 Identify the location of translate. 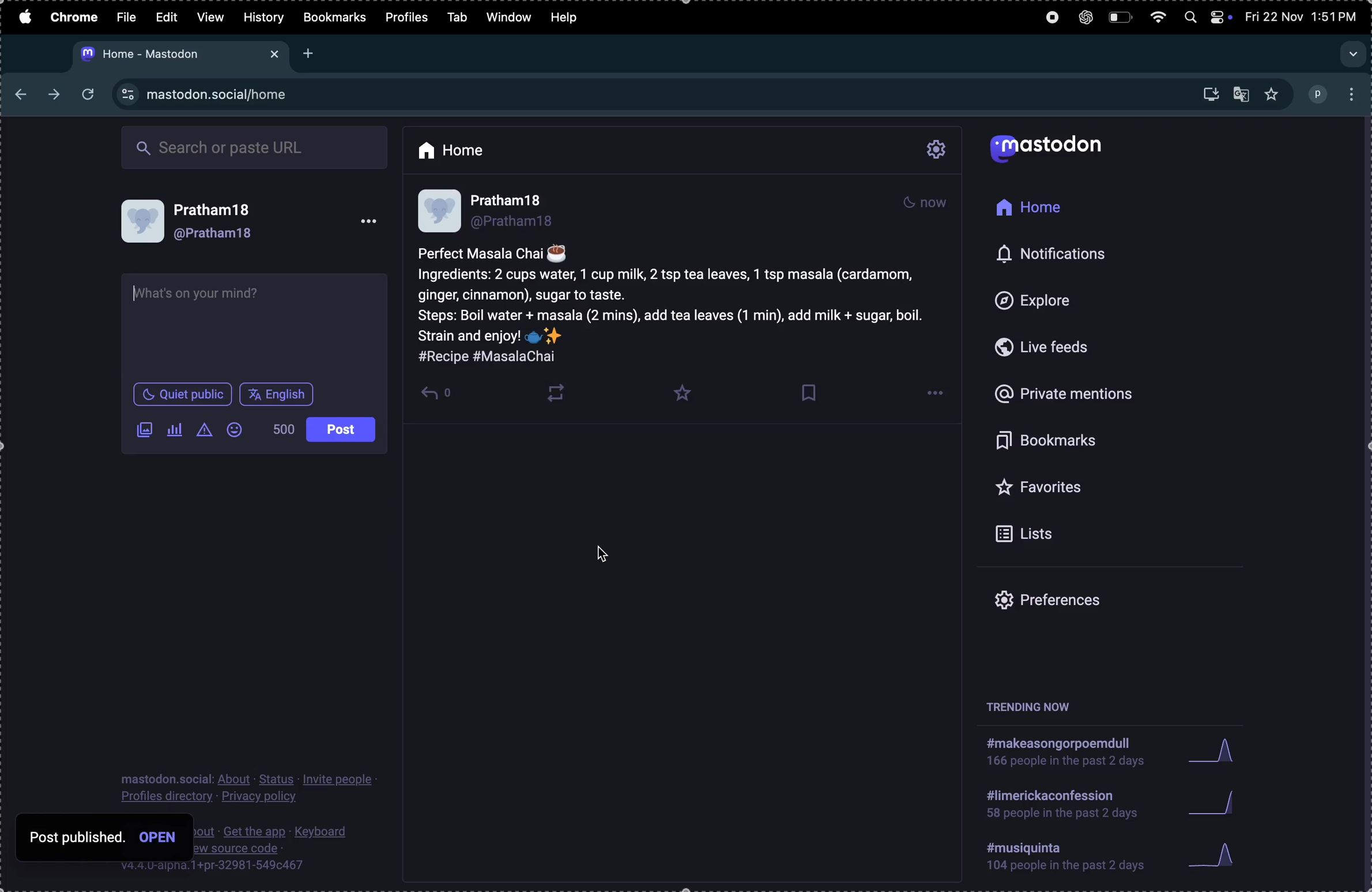
(1240, 94).